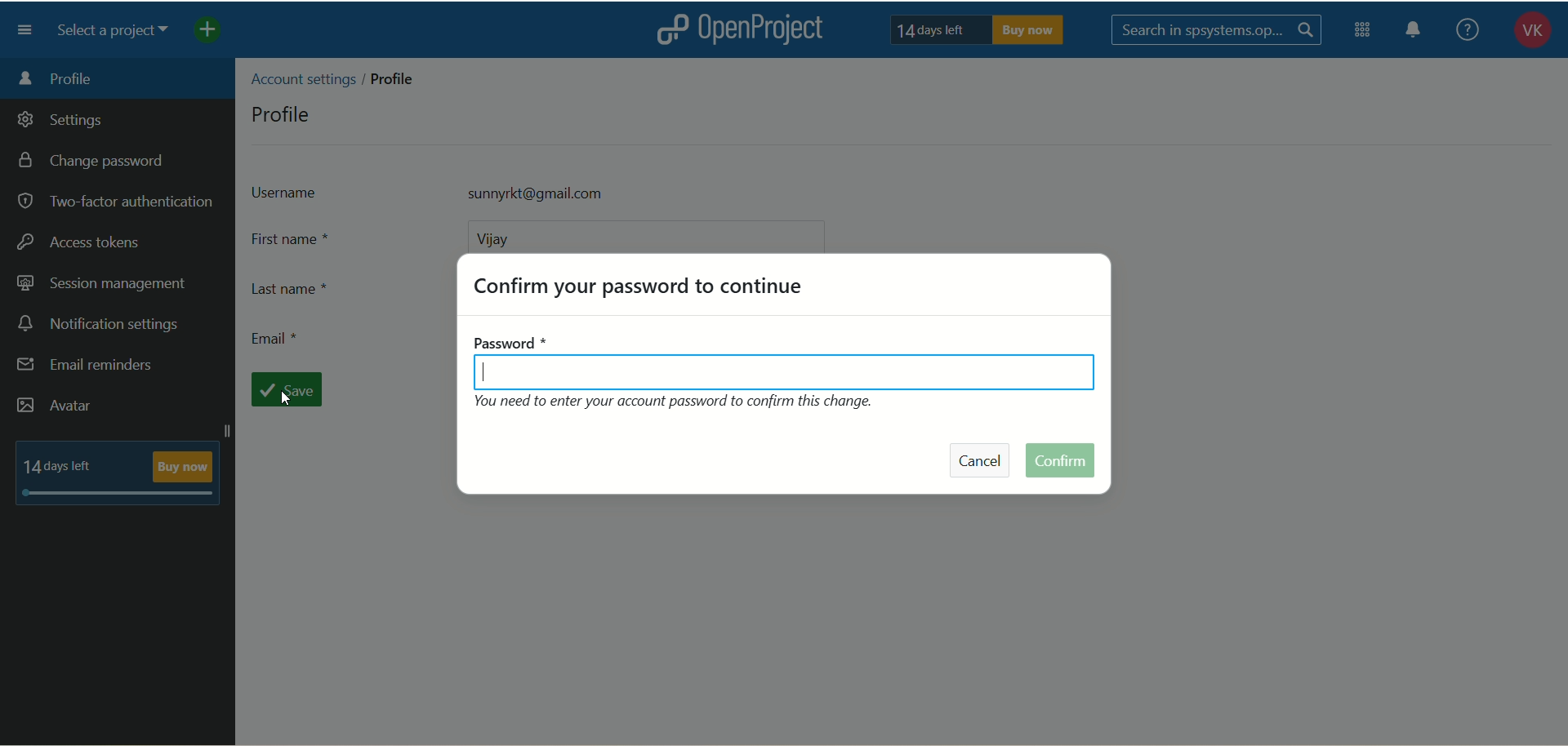  What do you see at coordinates (770, 31) in the screenshot?
I see `openproject` at bounding box center [770, 31].